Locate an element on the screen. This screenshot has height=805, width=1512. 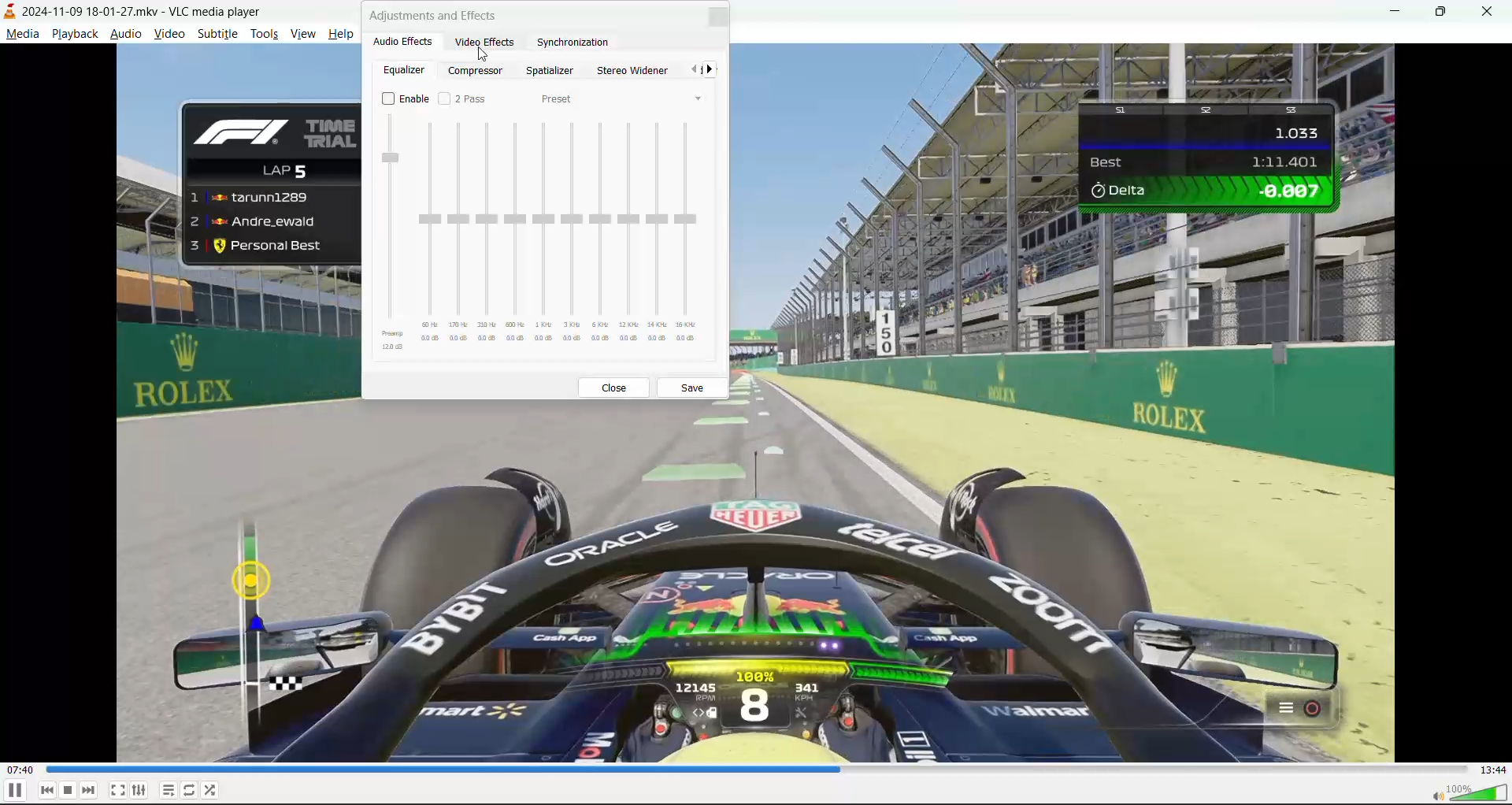
preset is located at coordinates (558, 100).